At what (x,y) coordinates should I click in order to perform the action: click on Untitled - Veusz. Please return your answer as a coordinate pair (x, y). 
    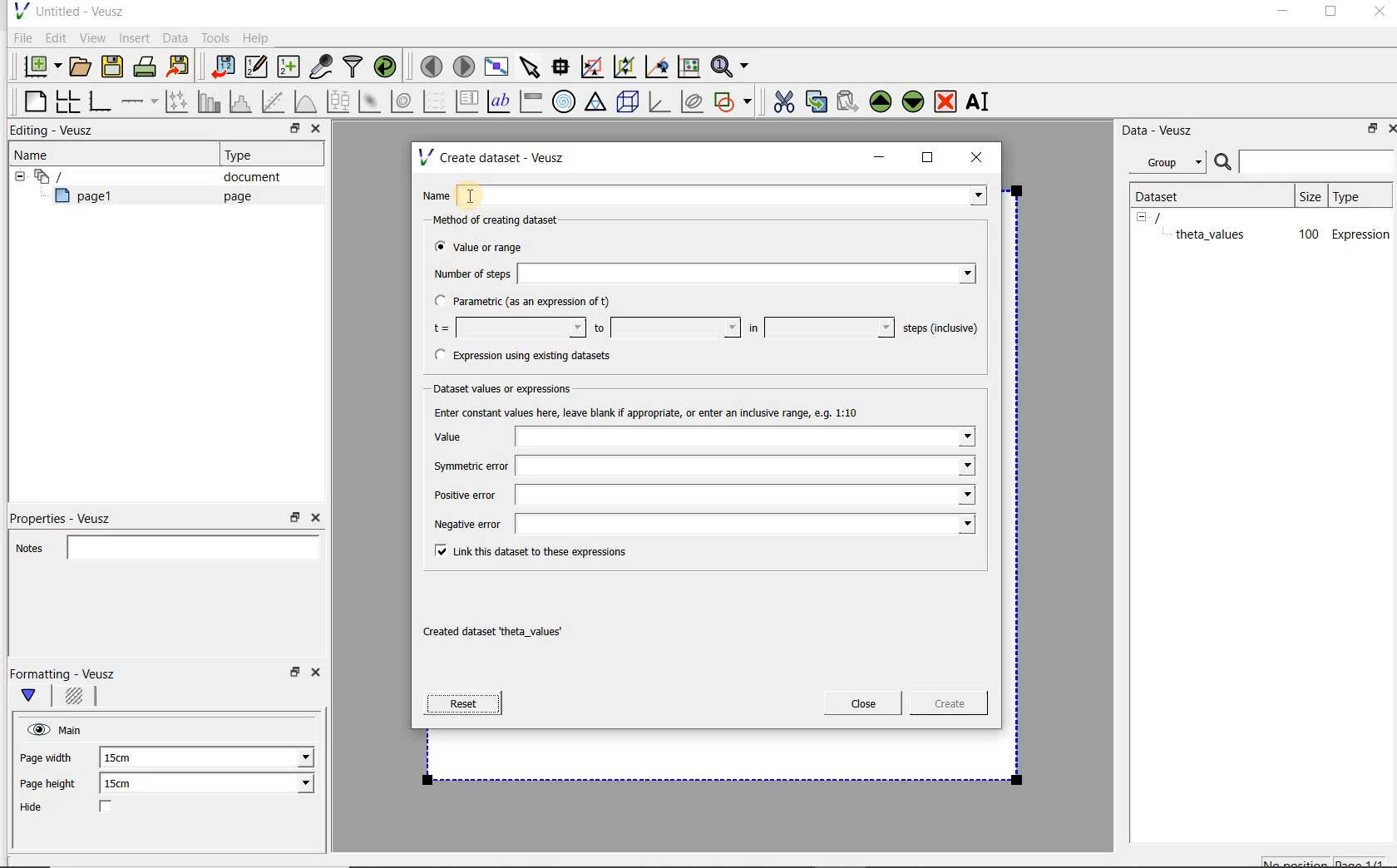
    Looking at the image, I should click on (67, 10).